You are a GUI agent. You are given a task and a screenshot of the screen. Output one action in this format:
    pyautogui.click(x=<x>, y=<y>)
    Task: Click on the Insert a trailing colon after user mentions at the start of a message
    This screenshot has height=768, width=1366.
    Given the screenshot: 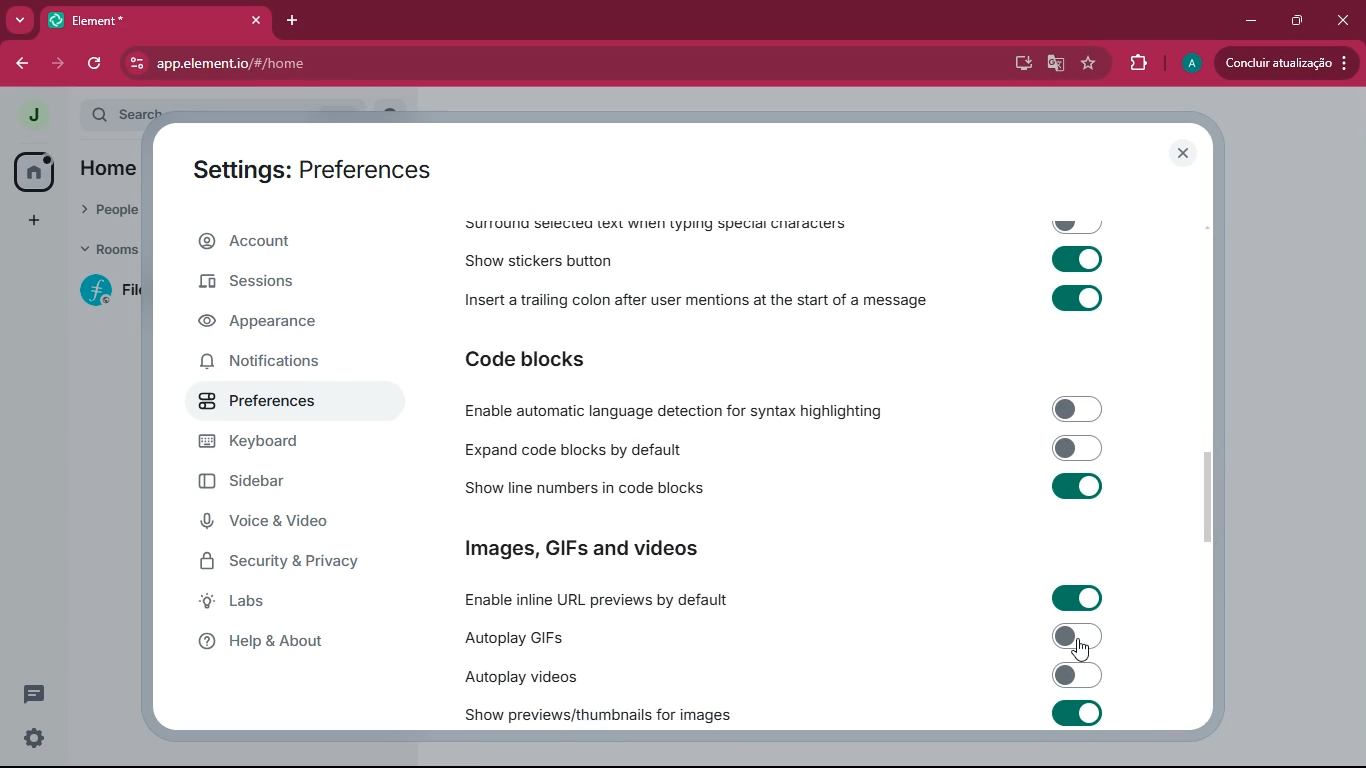 What is the action you would take?
    pyautogui.click(x=782, y=301)
    